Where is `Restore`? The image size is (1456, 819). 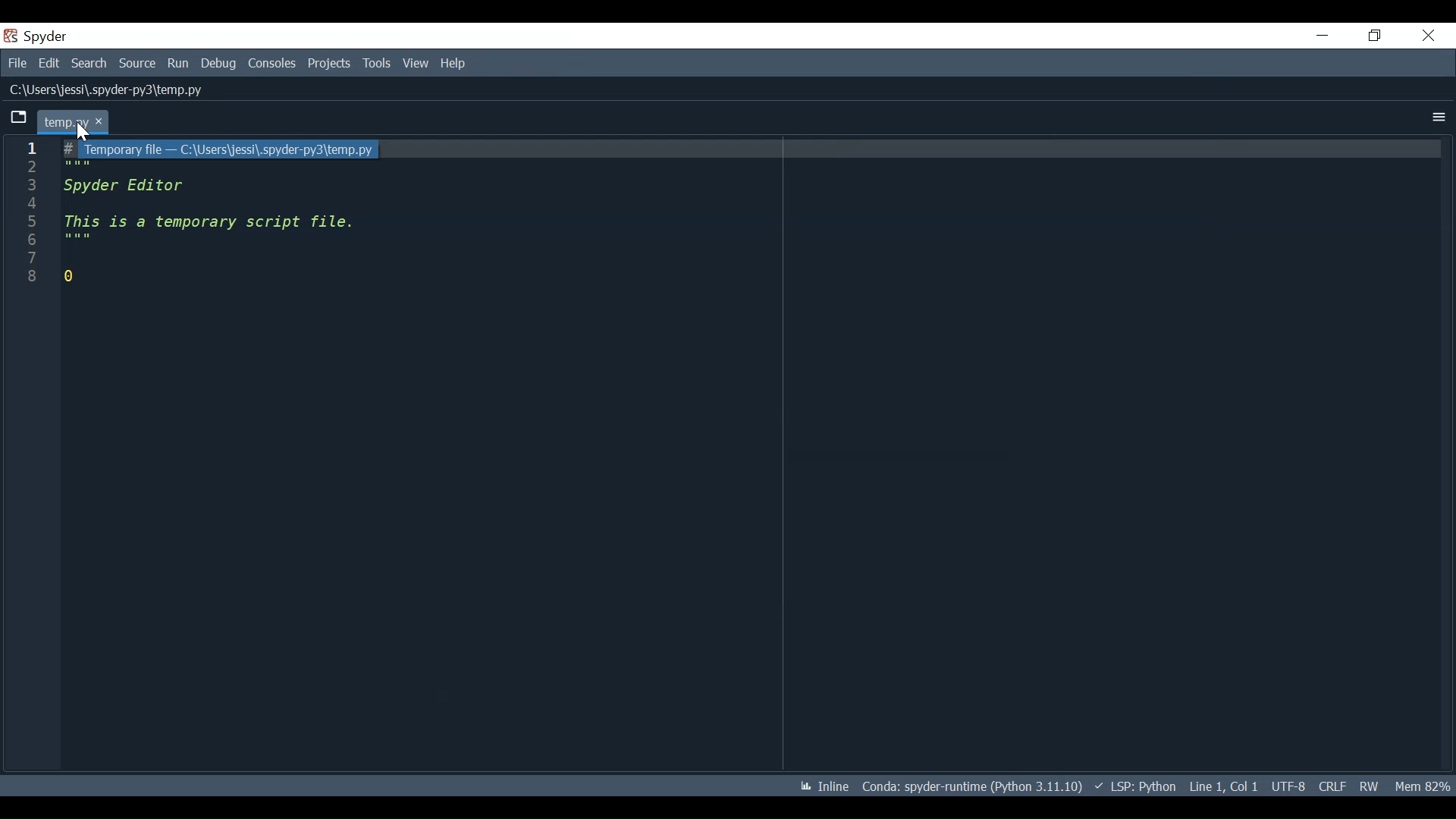 Restore is located at coordinates (1376, 35).